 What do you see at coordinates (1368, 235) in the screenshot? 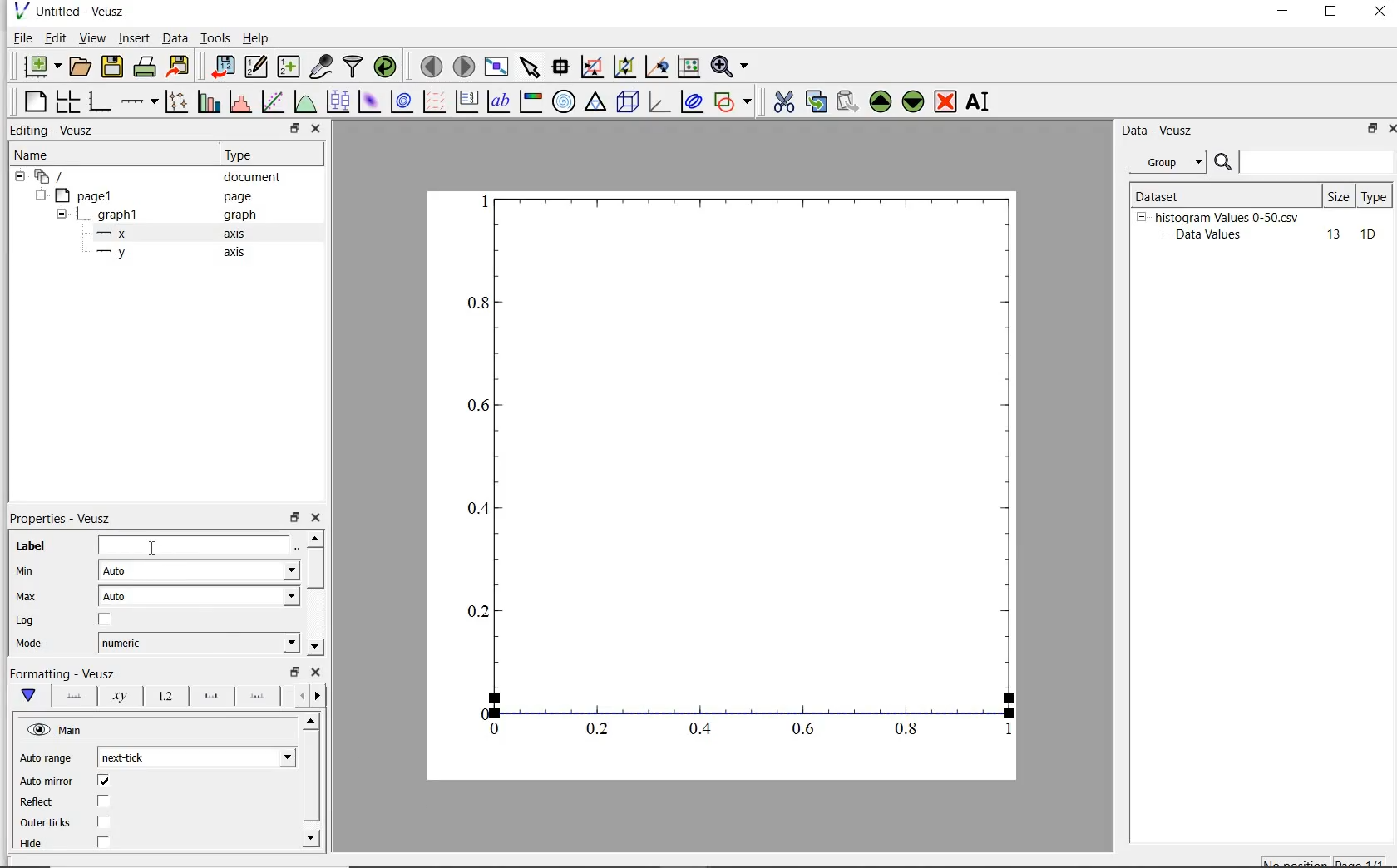
I see `10` at bounding box center [1368, 235].